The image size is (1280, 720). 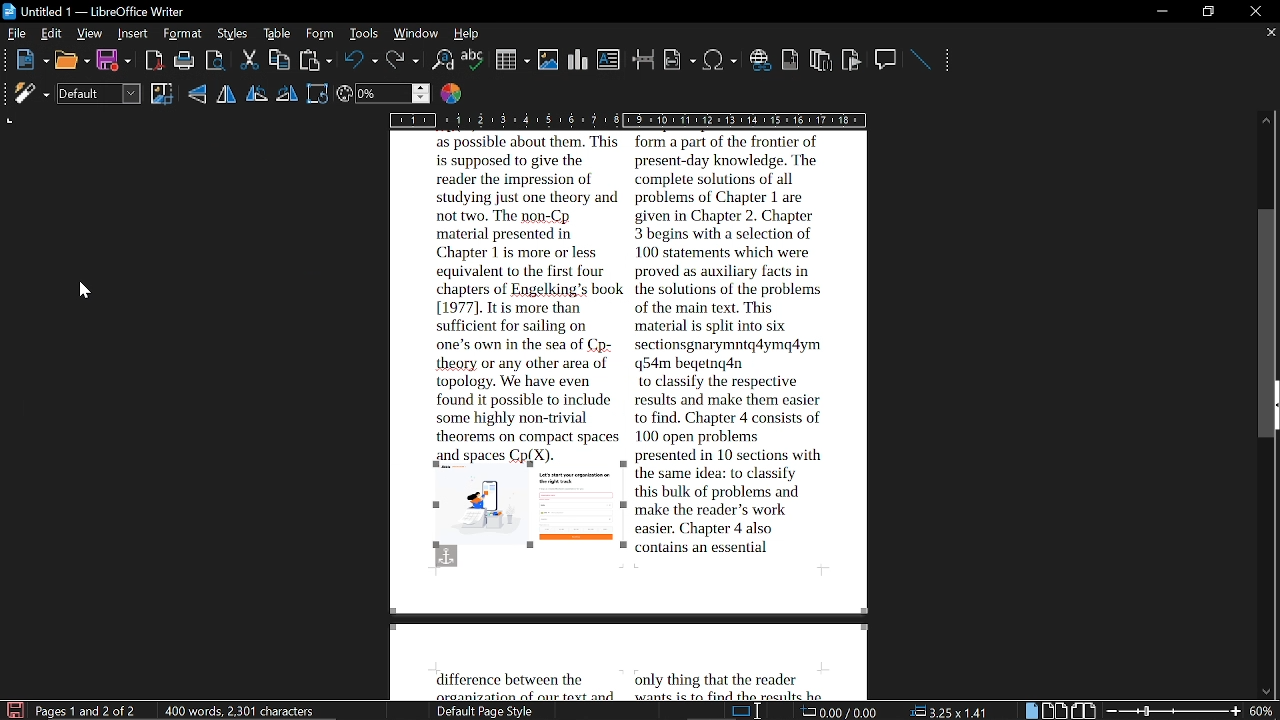 What do you see at coordinates (655, 371) in the screenshot?
I see `As possible about them. This is supposed to give the reader. The impression of studying just one theory and not the non-CP material presented in chapter 1 is more or less equivalent to the first four chapters of Egelking's book (1977). It is more than sufficient for sailing on one's own in the sea of CP theory or any other area of topology. We have even found it possible to include some highly non-trivial theorems on compact spaces and spaces CP(X). The fifth section is still introductory with regard to given in chapter 2. Chapter 3 begins with a selection of hundred statements which were proved as auxiliary facts in the solutions of the problems of the main text. This material is split into six sections to classify the respective results and make them easier to find. Chapter 4 consist of hundred open problems presented in 10 sections with the same idea: to classify this bulk of problems and make the readers work easier. Chapter 4, also contains an essential` at bounding box center [655, 371].